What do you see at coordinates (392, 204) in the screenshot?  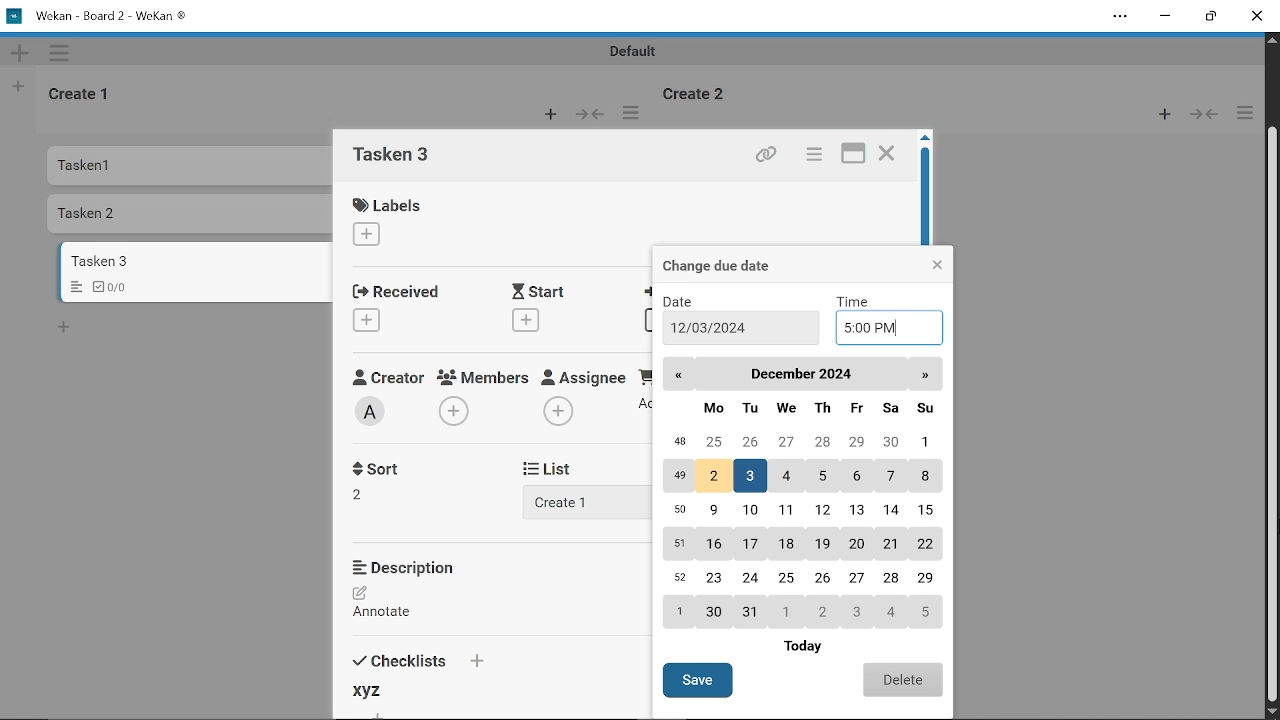 I see `Labels` at bounding box center [392, 204].